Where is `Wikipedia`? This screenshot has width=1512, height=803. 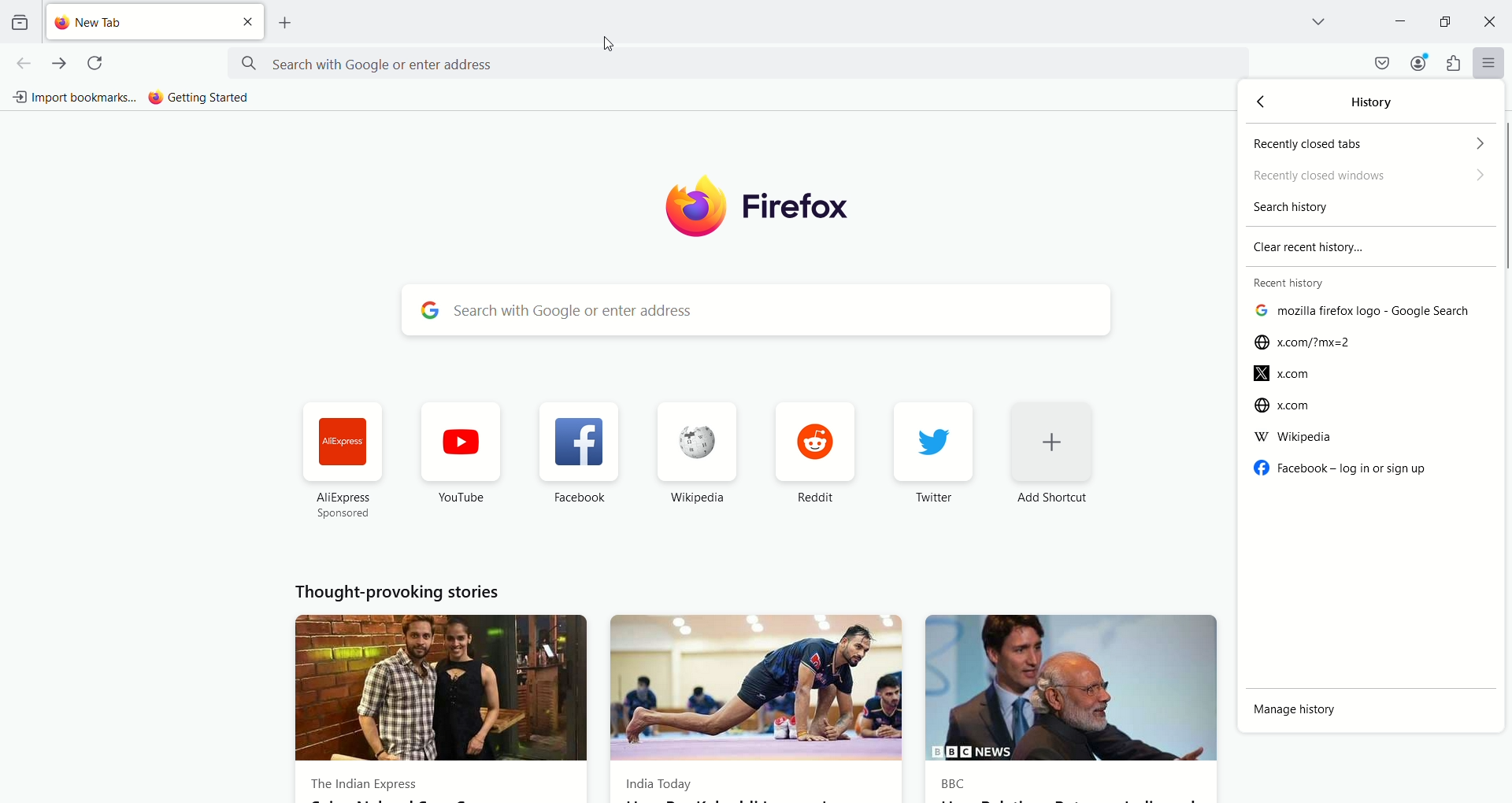 Wikipedia is located at coordinates (1296, 437).